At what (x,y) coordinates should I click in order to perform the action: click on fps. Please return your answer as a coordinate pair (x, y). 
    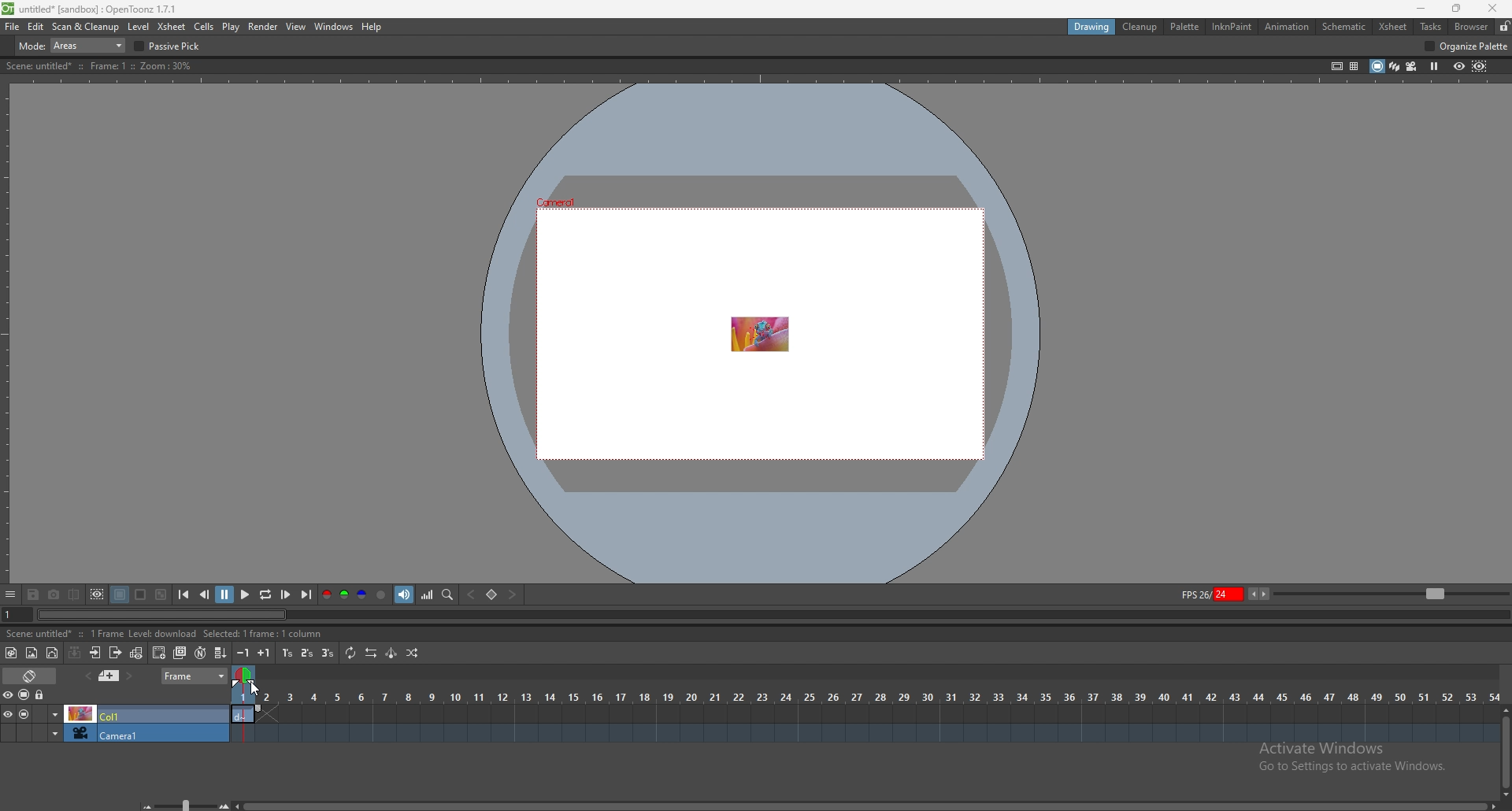
    Looking at the image, I should click on (1225, 594).